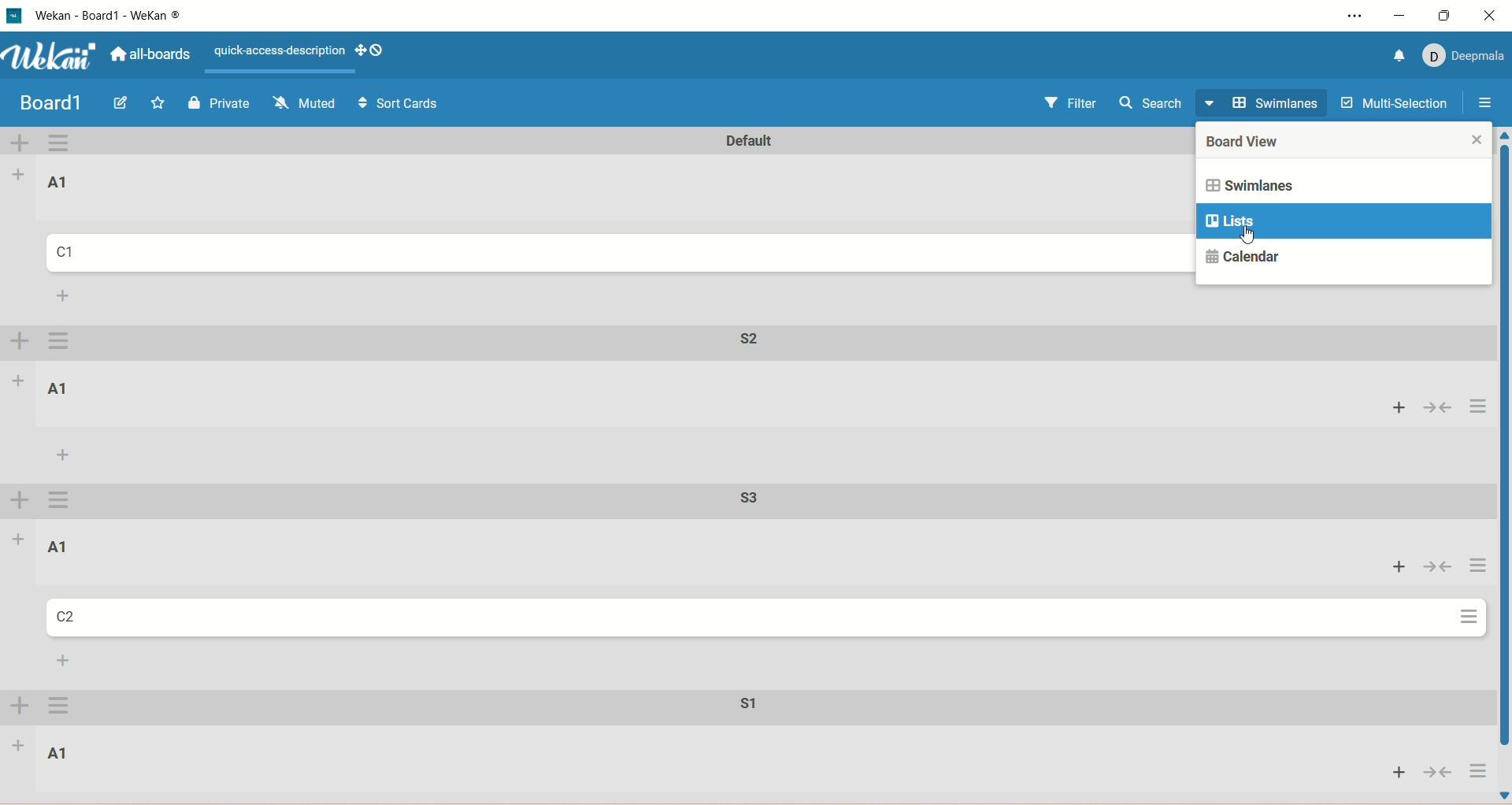  Describe the element at coordinates (1343, 222) in the screenshot. I see `lists` at that location.